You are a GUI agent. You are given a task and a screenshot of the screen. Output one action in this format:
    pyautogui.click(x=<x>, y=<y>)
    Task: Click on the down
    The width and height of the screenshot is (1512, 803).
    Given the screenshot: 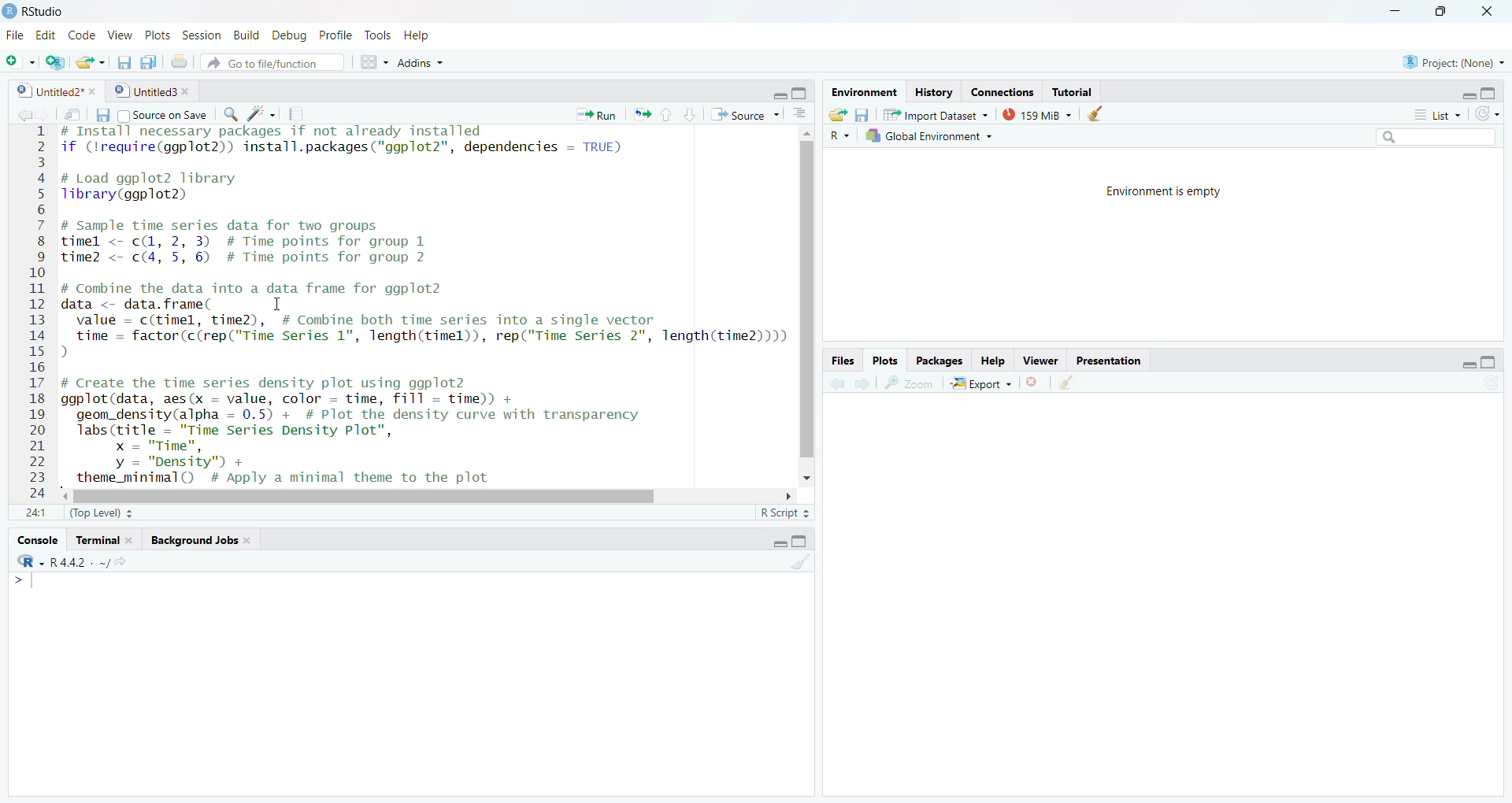 What is the action you would take?
    pyautogui.click(x=690, y=115)
    